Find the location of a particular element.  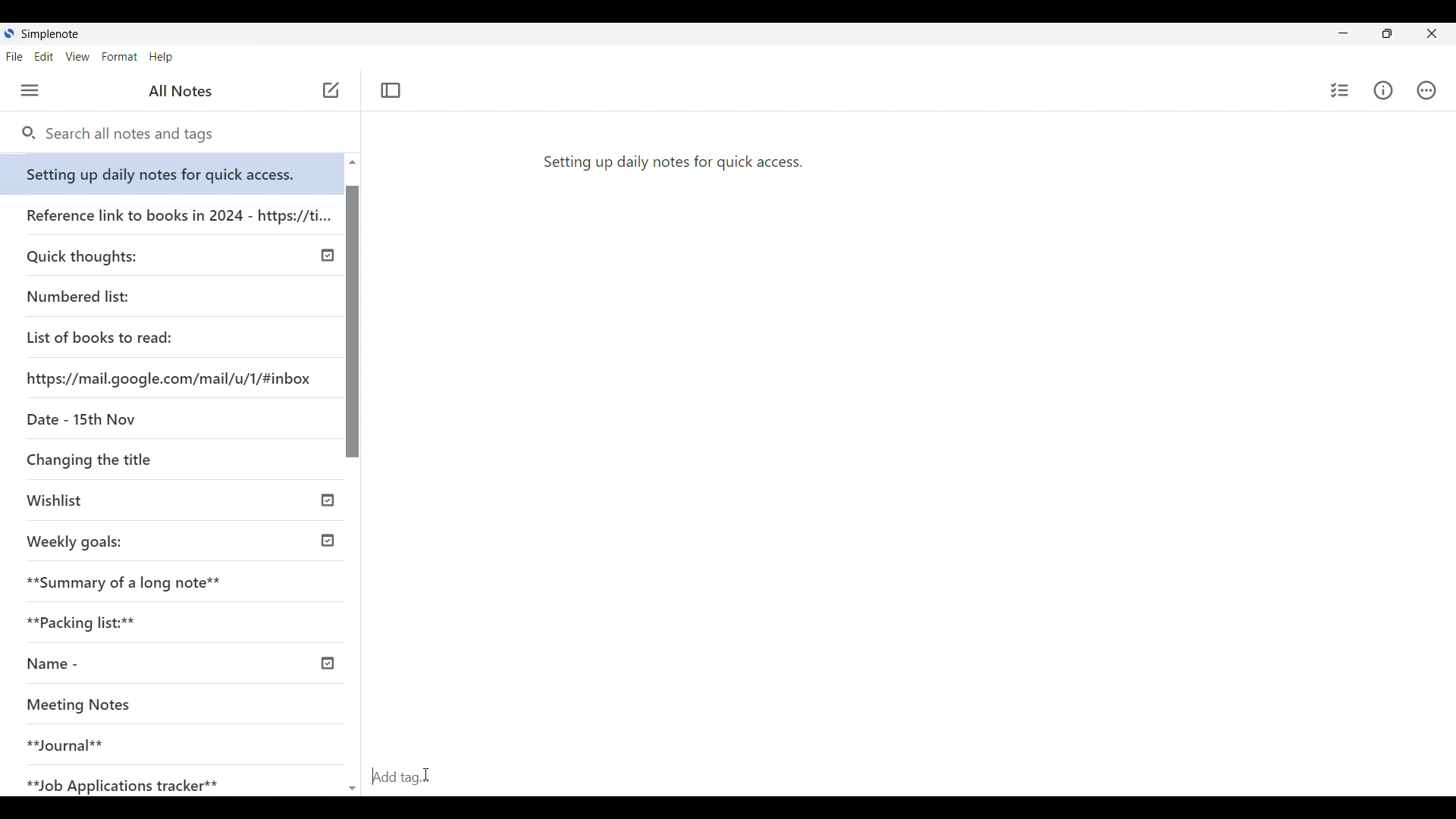

Quick slide to top is located at coordinates (352, 162).